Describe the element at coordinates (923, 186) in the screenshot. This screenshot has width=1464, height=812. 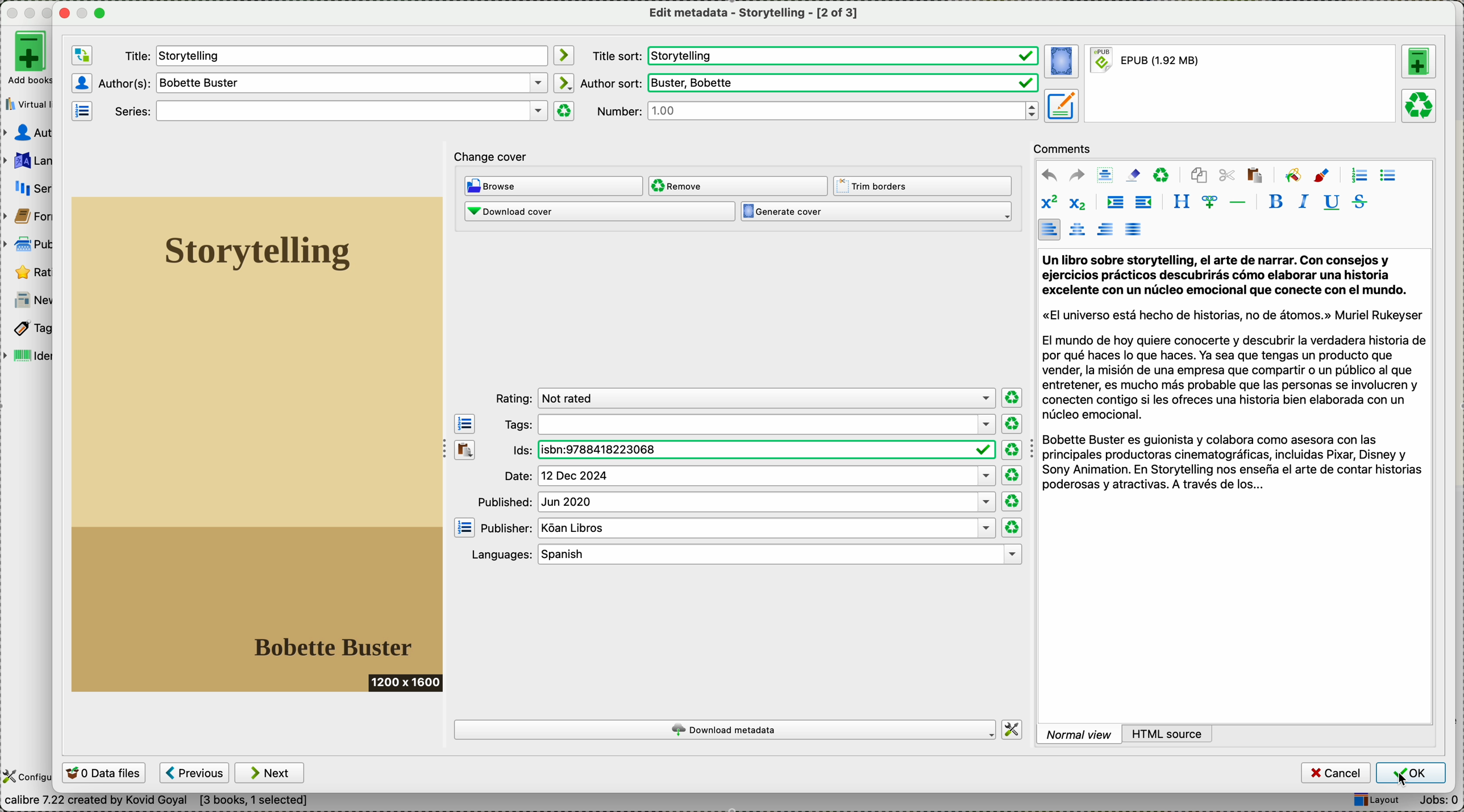
I see `trim borders` at that location.